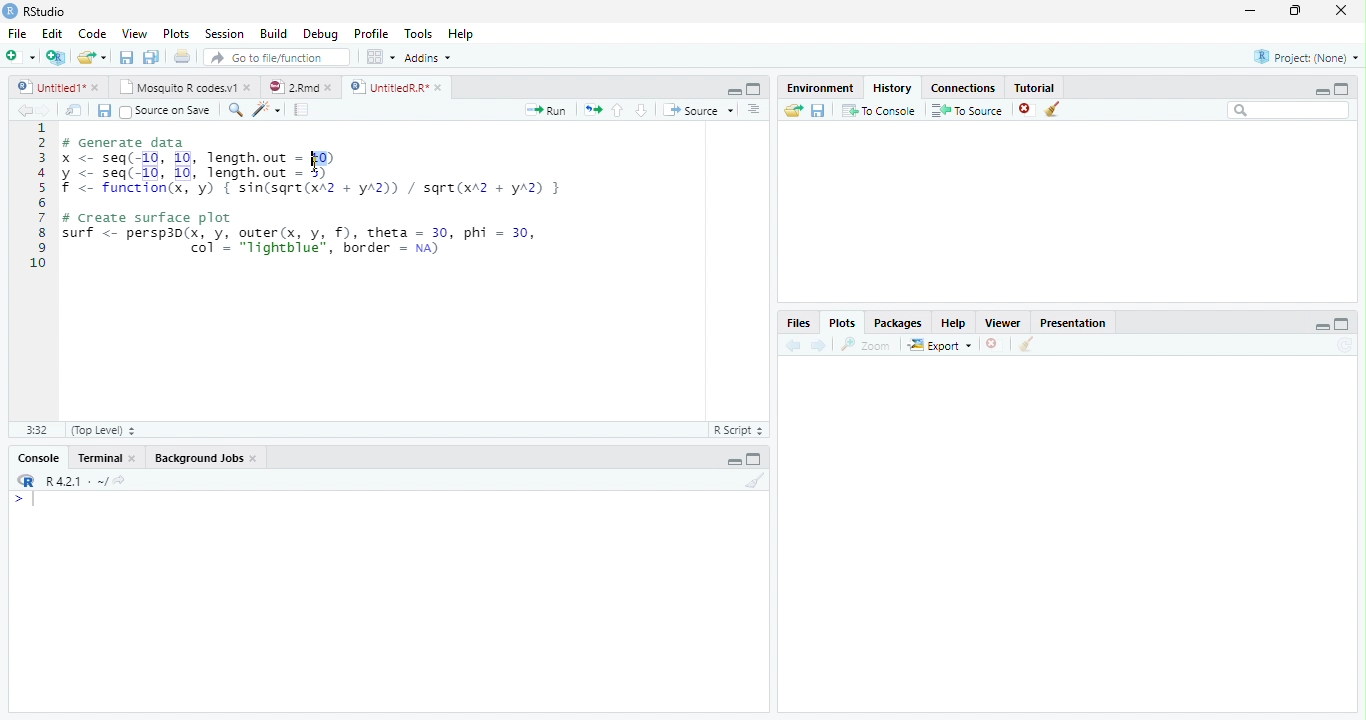 This screenshot has height=720, width=1366. What do you see at coordinates (91, 33) in the screenshot?
I see `Code` at bounding box center [91, 33].